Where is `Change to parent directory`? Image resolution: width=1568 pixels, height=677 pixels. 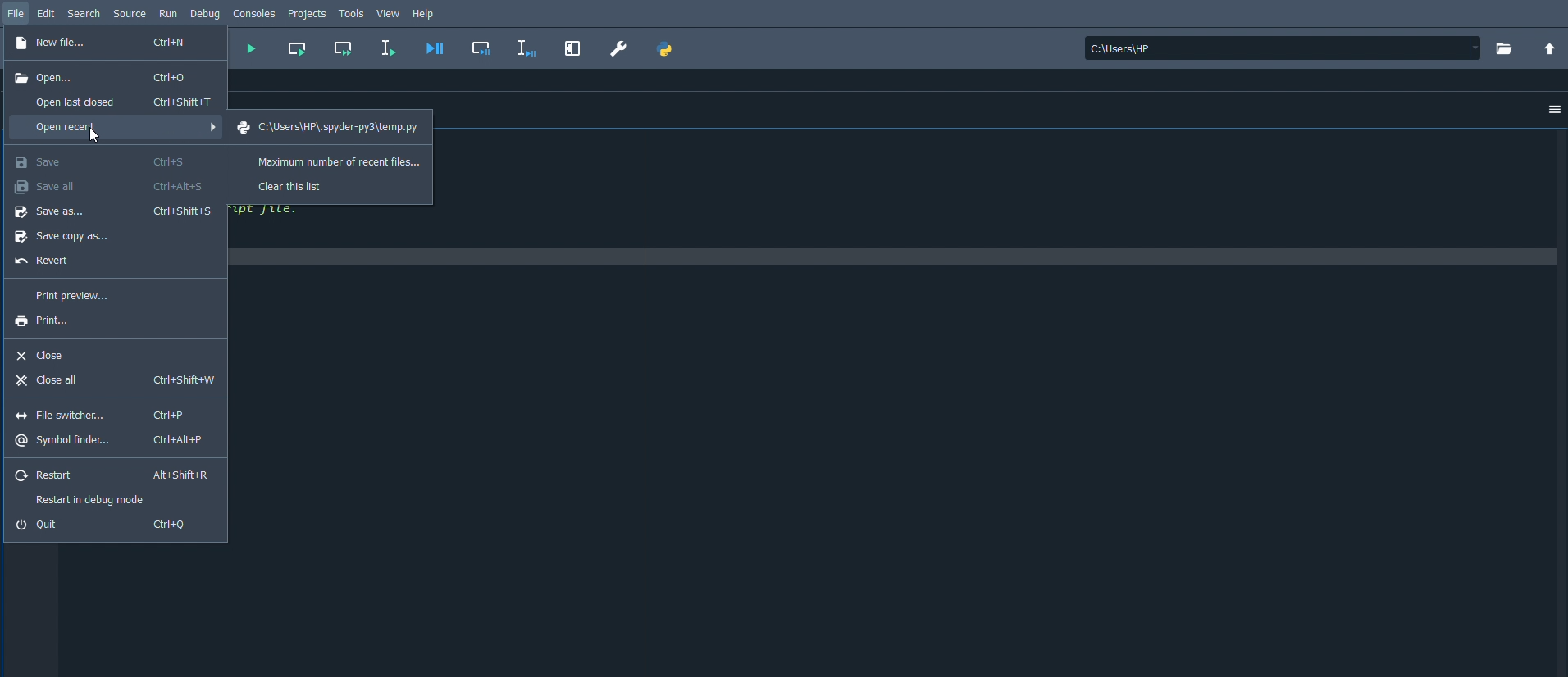
Change to parent directory is located at coordinates (1550, 49).